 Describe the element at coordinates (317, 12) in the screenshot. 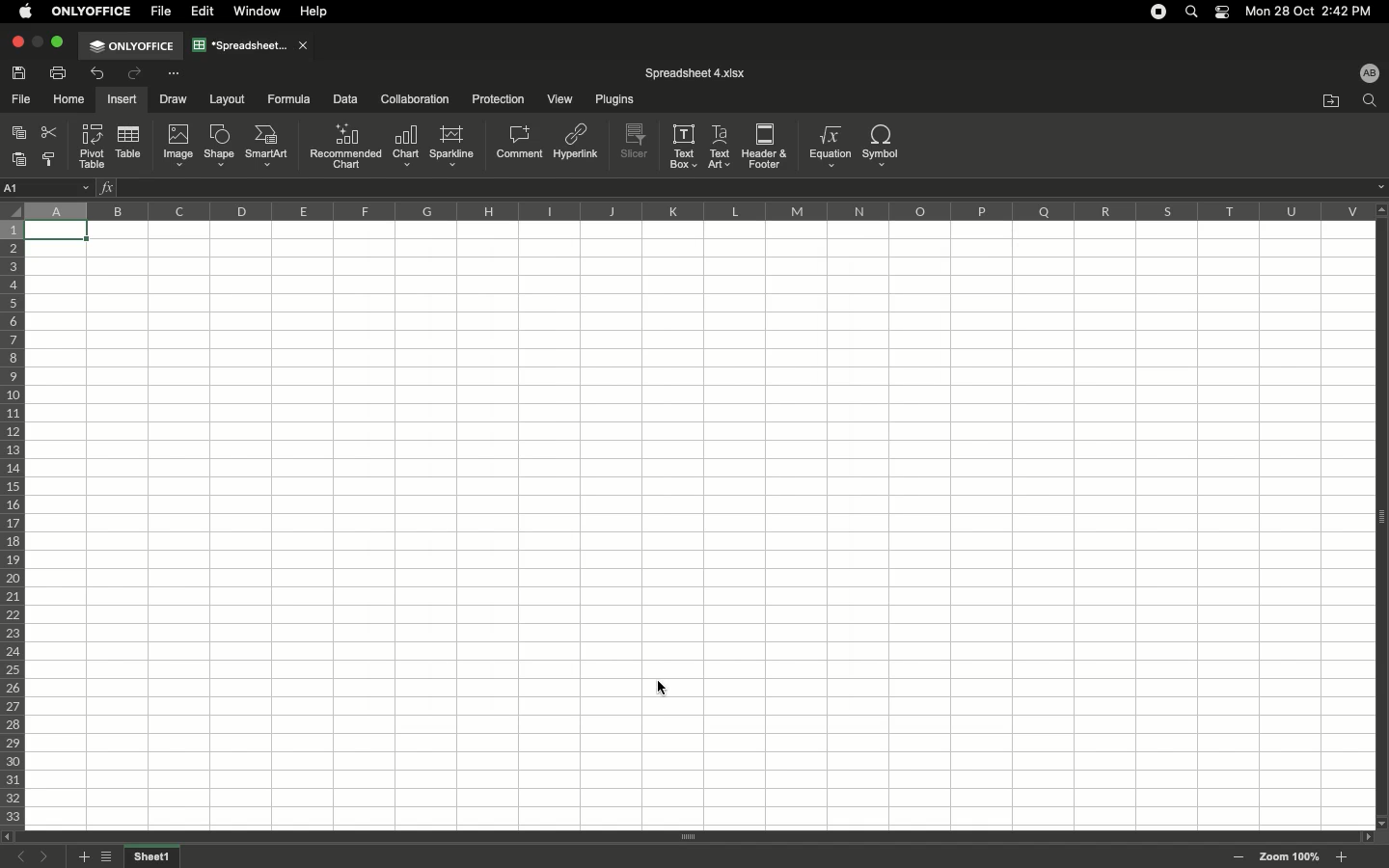

I see `Help` at that location.